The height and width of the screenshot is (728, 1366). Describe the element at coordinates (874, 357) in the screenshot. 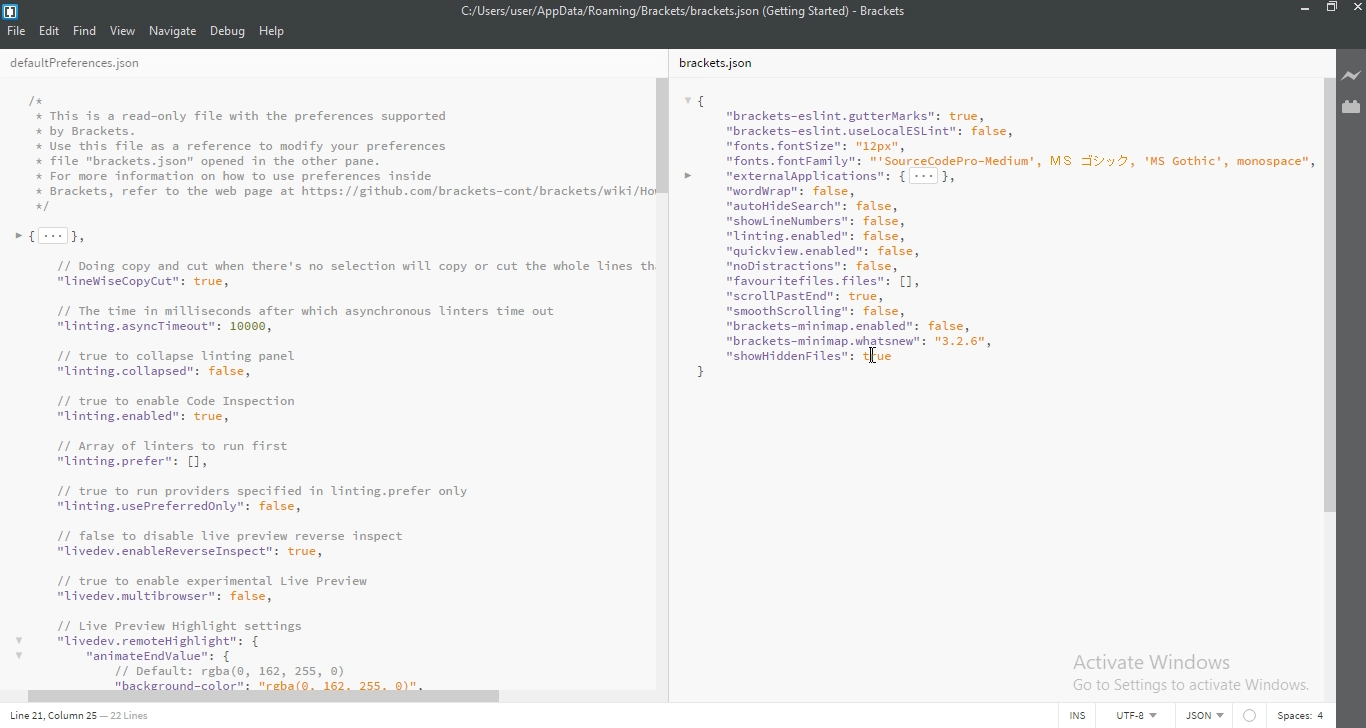

I see `Cursor` at that location.